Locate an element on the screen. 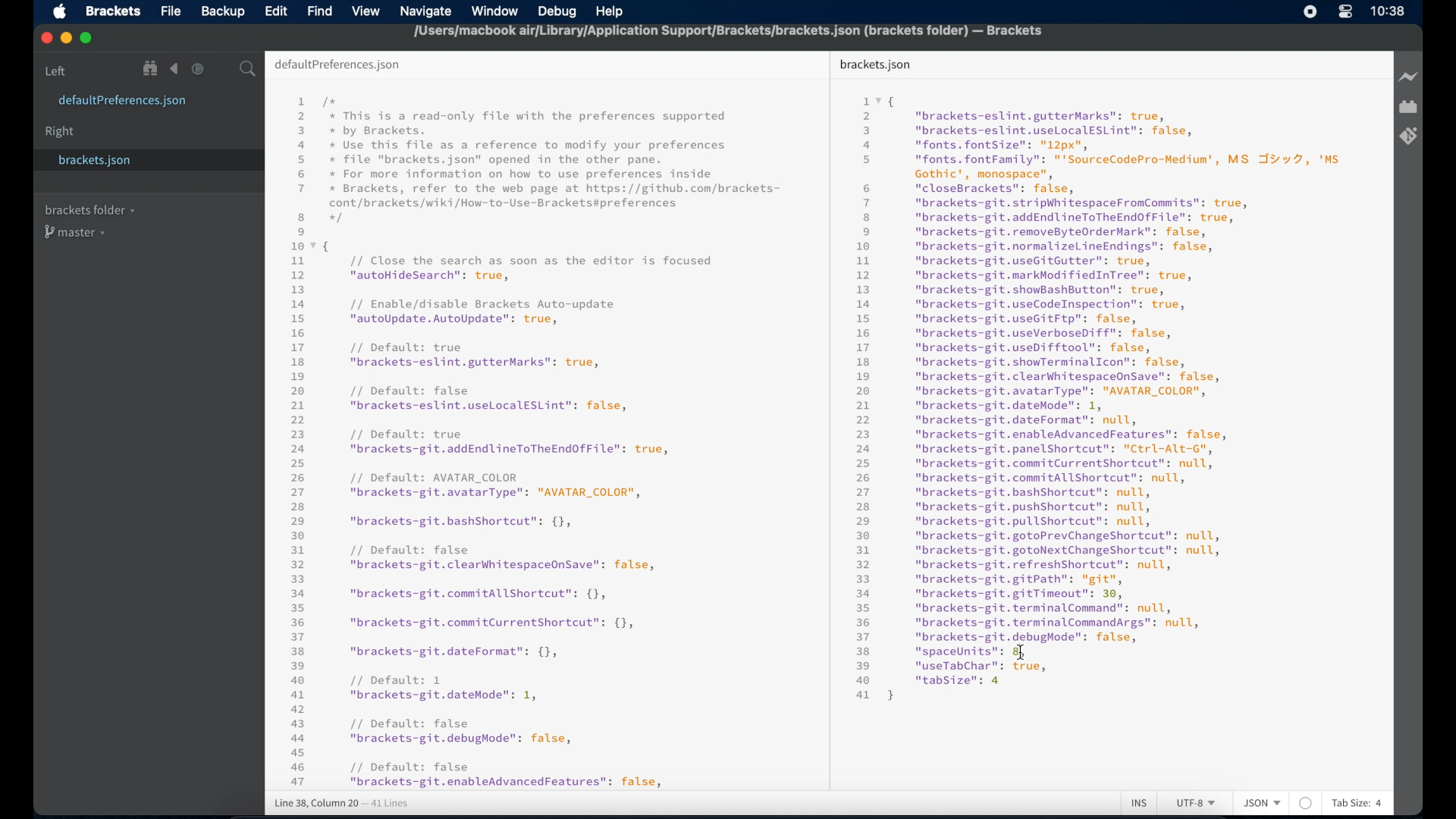 Image resolution: width=1456 pixels, height=819 pixels. brackets.json is located at coordinates (875, 65).